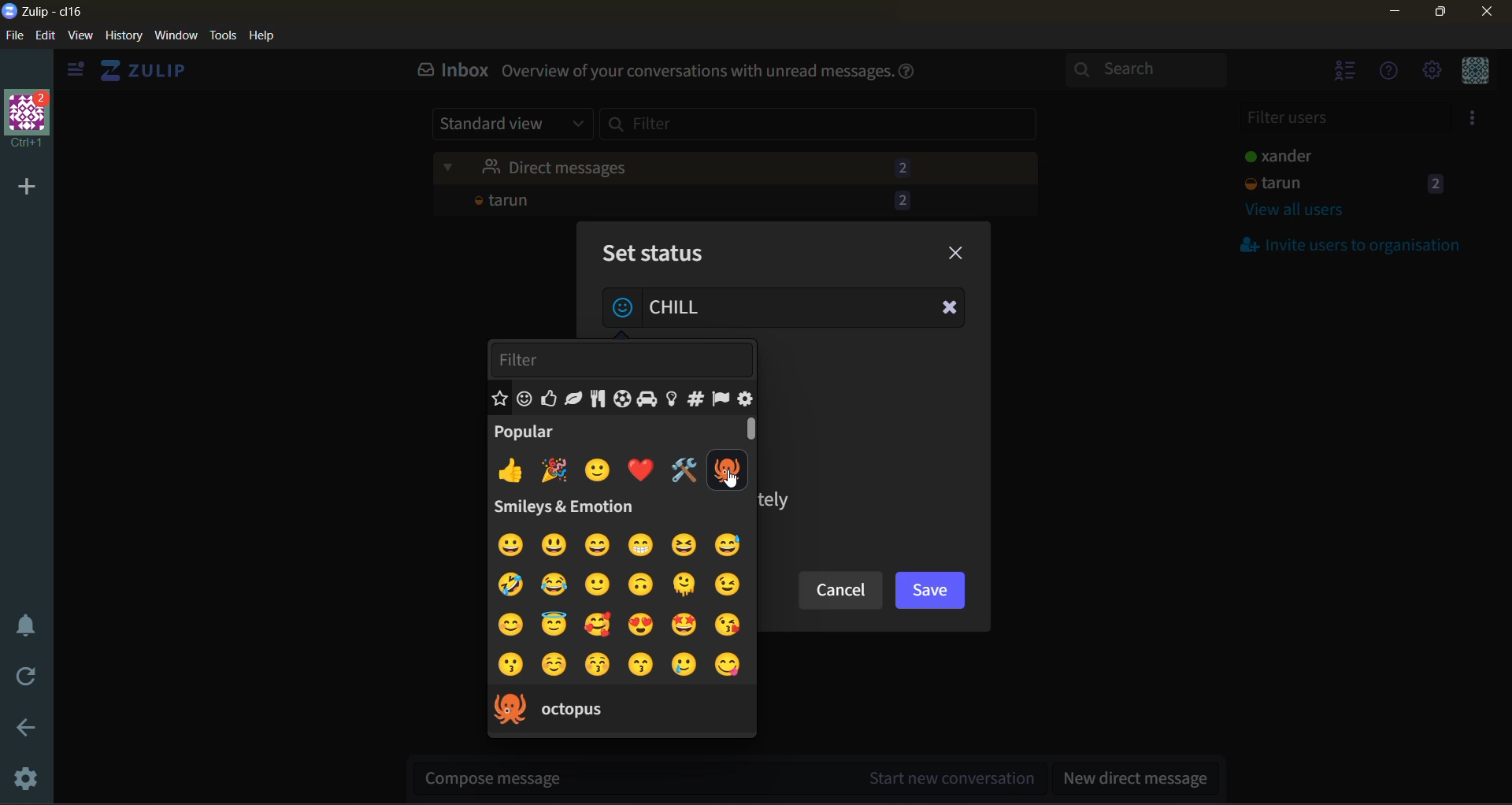 This screenshot has width=1512, height=805. Describe the element at coordinates (599, 584) in the screenshot. I see `emoji` at that location.